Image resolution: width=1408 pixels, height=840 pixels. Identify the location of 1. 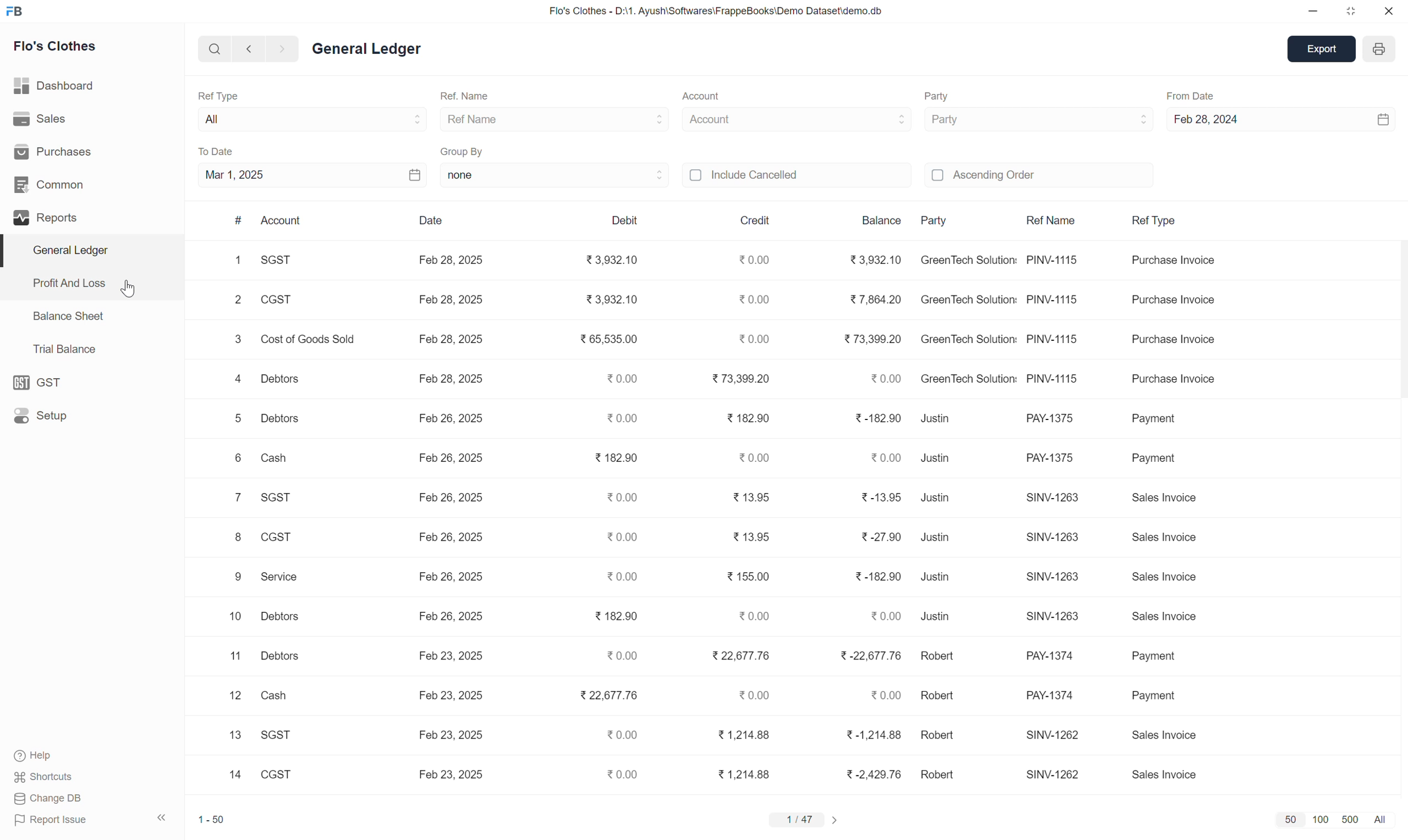
(234, 266).